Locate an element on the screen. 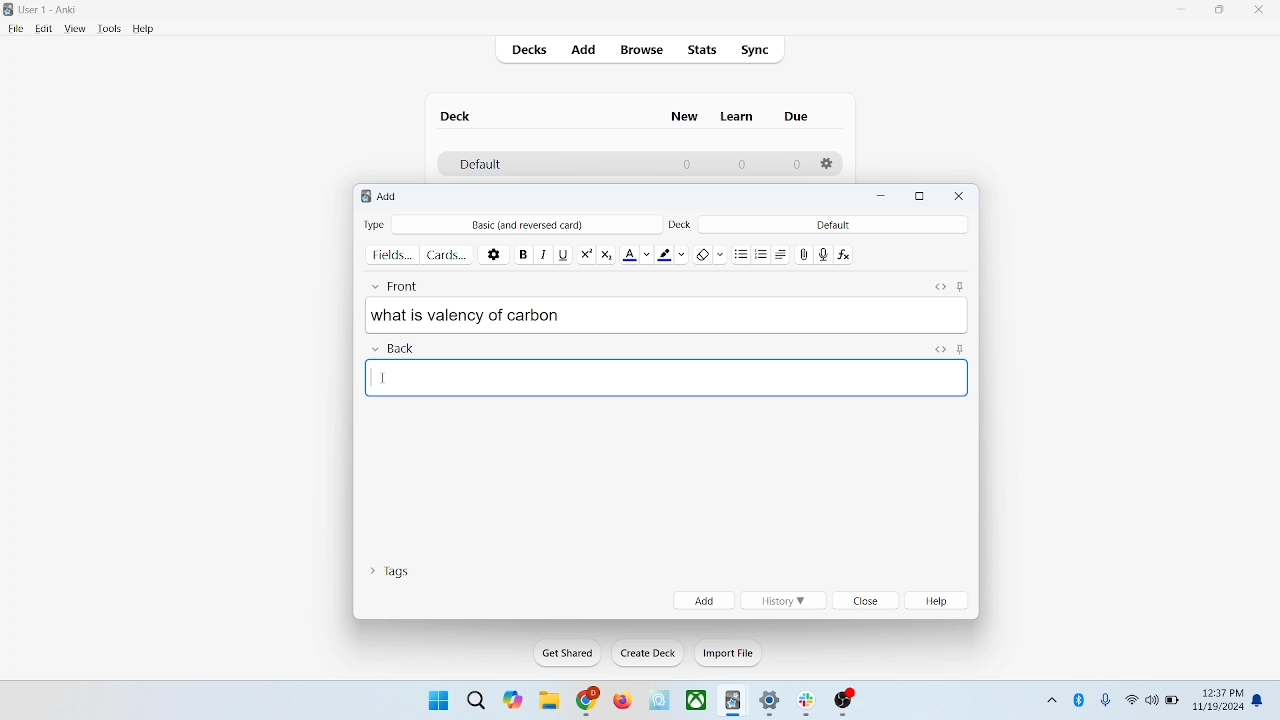 The width and height of the screenshot is (1280, 720). tools is located at coordinates (108, 29).